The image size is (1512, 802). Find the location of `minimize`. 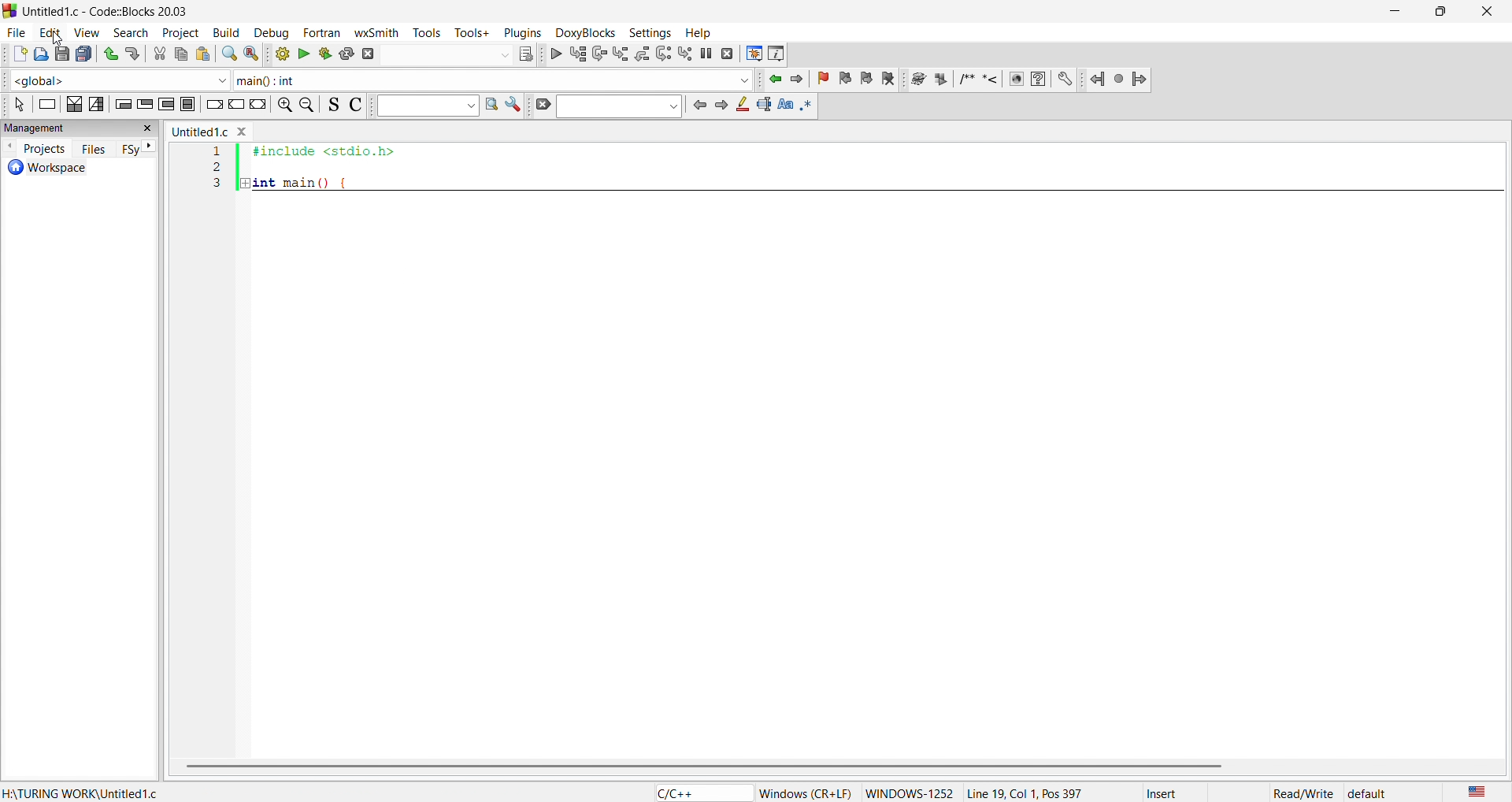

minimize is located at coordinates (1392, 12).